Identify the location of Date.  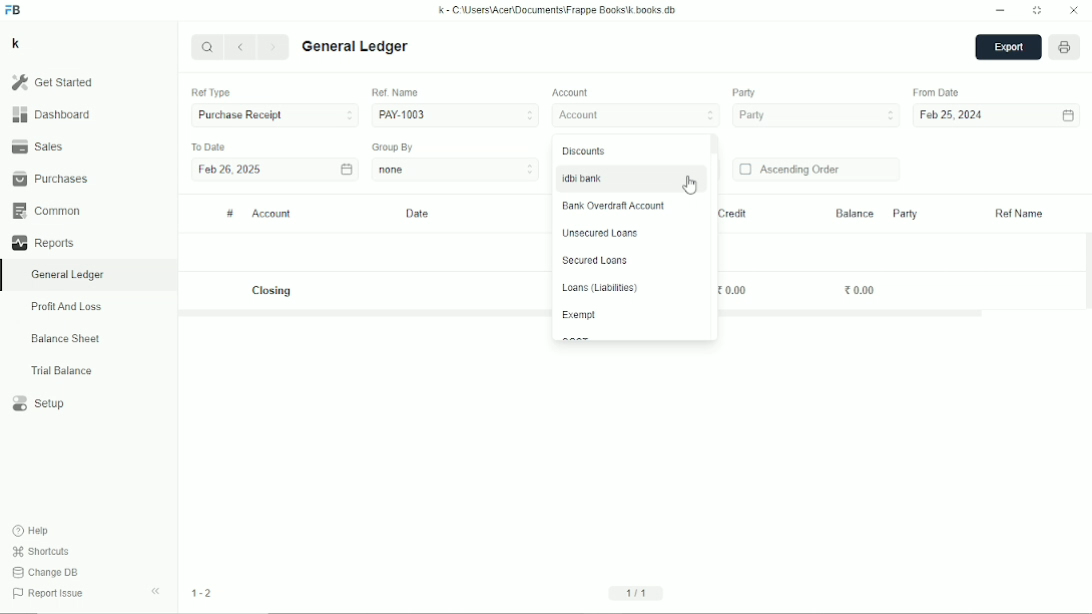
(419, 214).